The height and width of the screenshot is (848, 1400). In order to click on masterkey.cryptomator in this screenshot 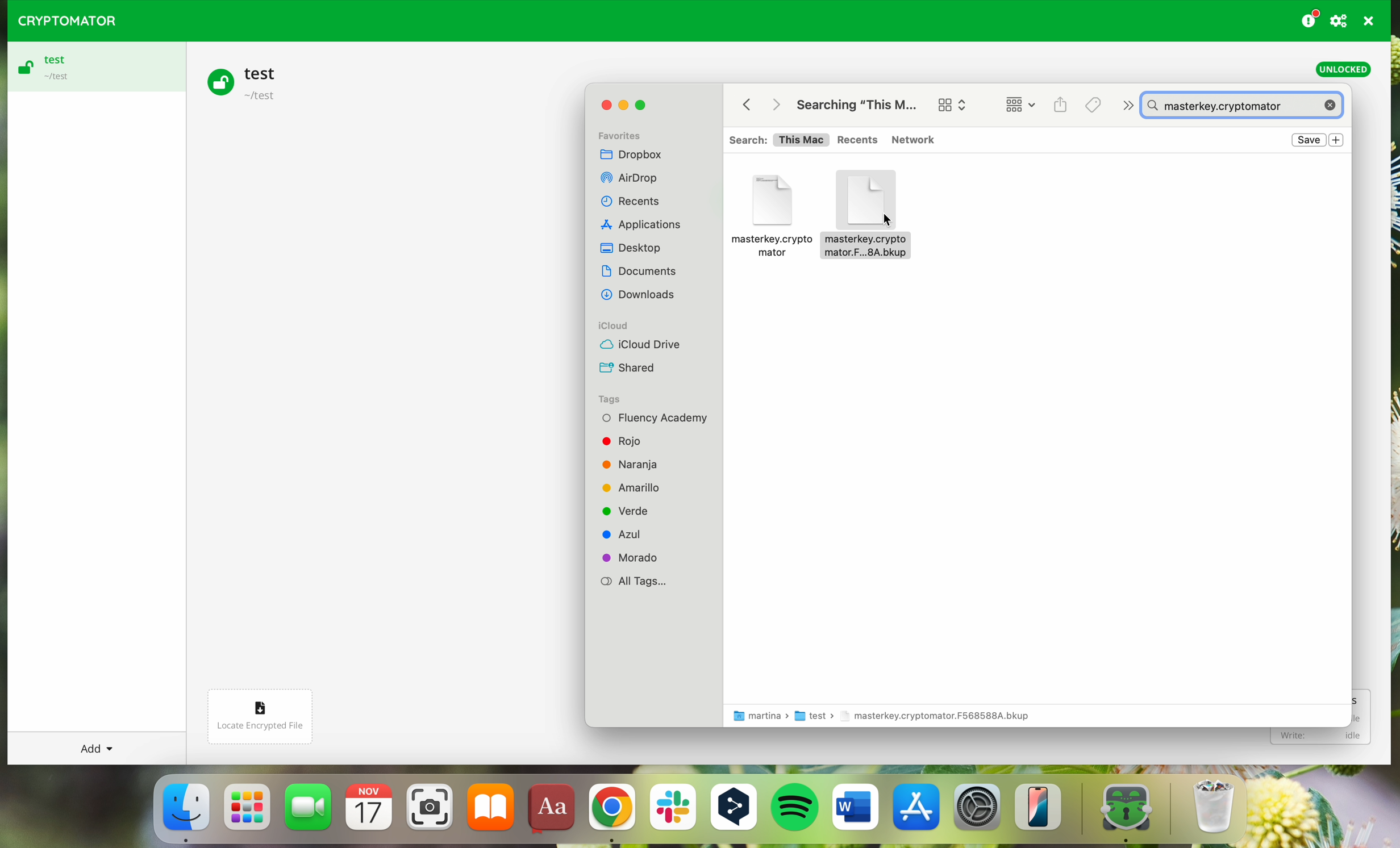, I will do `click(1245, 106)`.